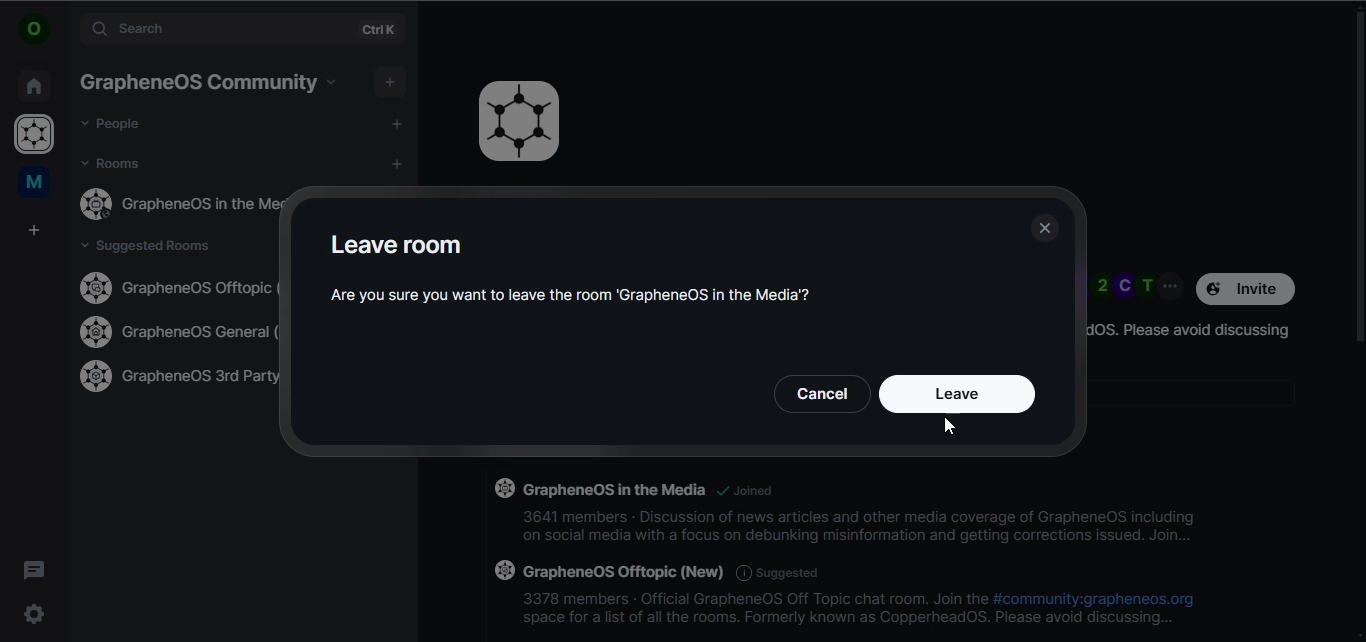 The height and width of the screenshot is (642, 1366). What do you see at coordinates (586, 269) in the screenshot?
I see `text` at bounding box center [586, 269].